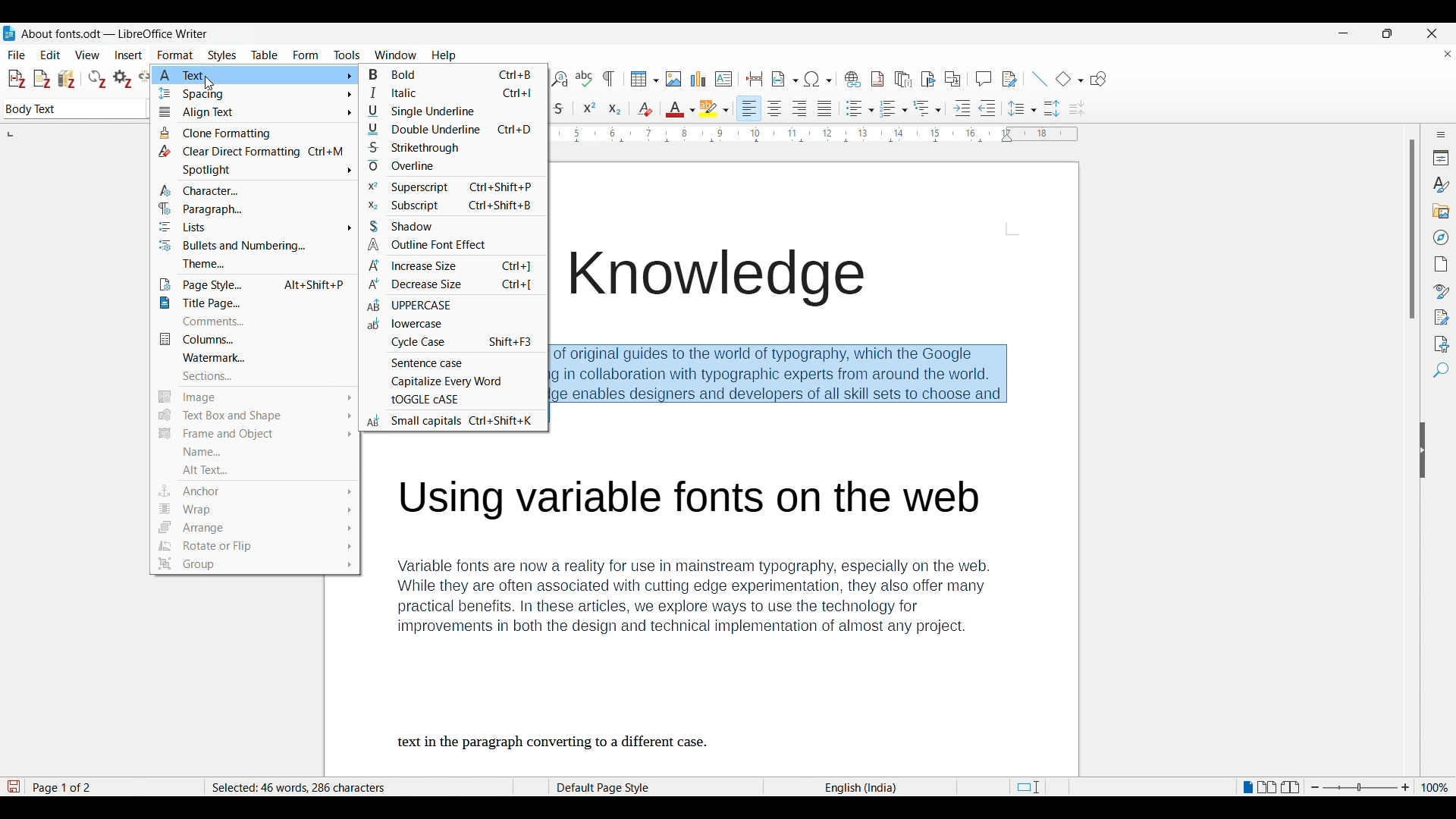 The image size is (1456, 819). Describe the element at coordinates (258, 470) in the screenshot. I see `Alt text` at that location.